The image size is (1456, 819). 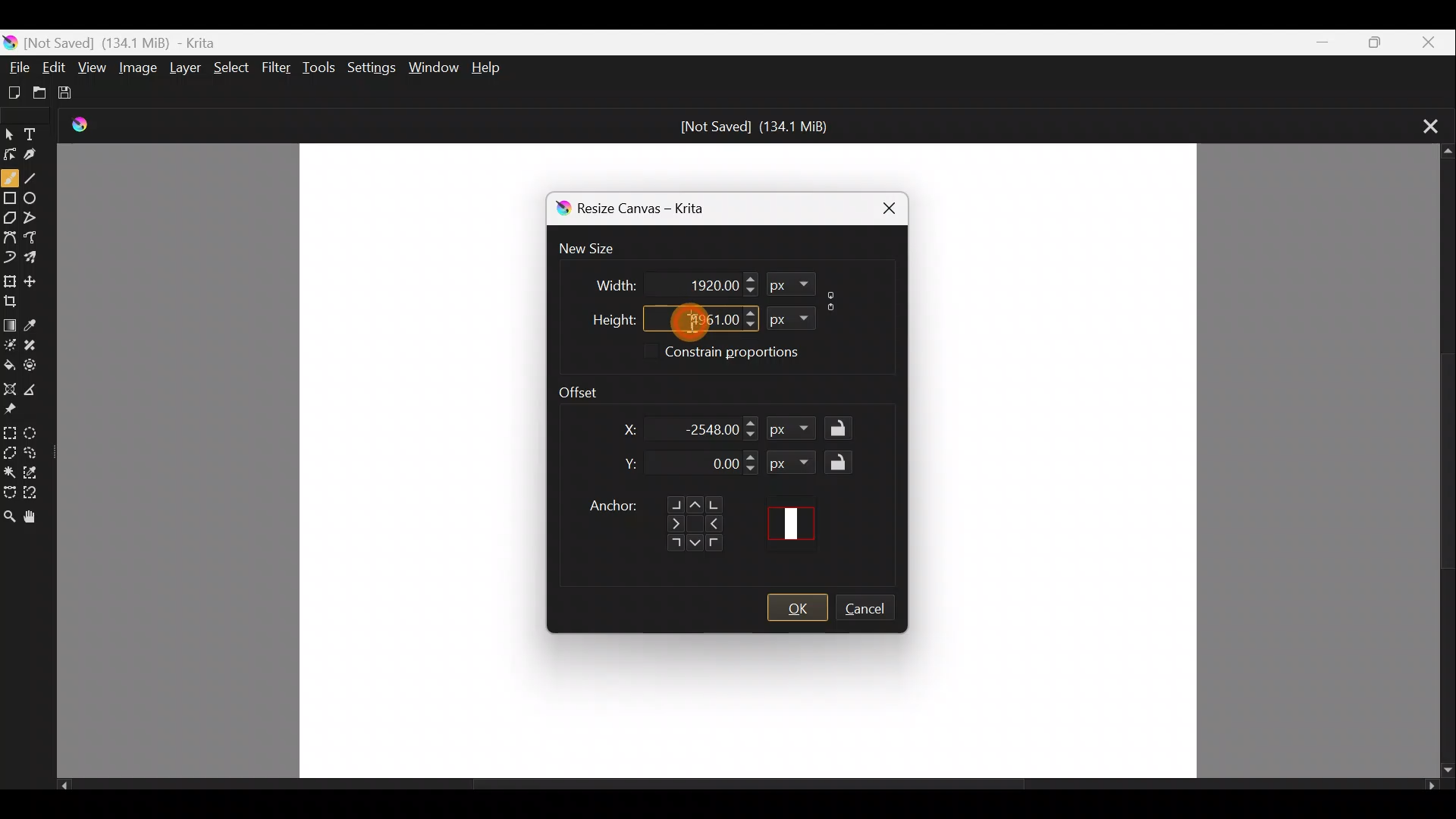 What do you see at coordinates (843, 429) in the screenshot?
I see `Lock/Unlock` at bounding box center [843, 429].